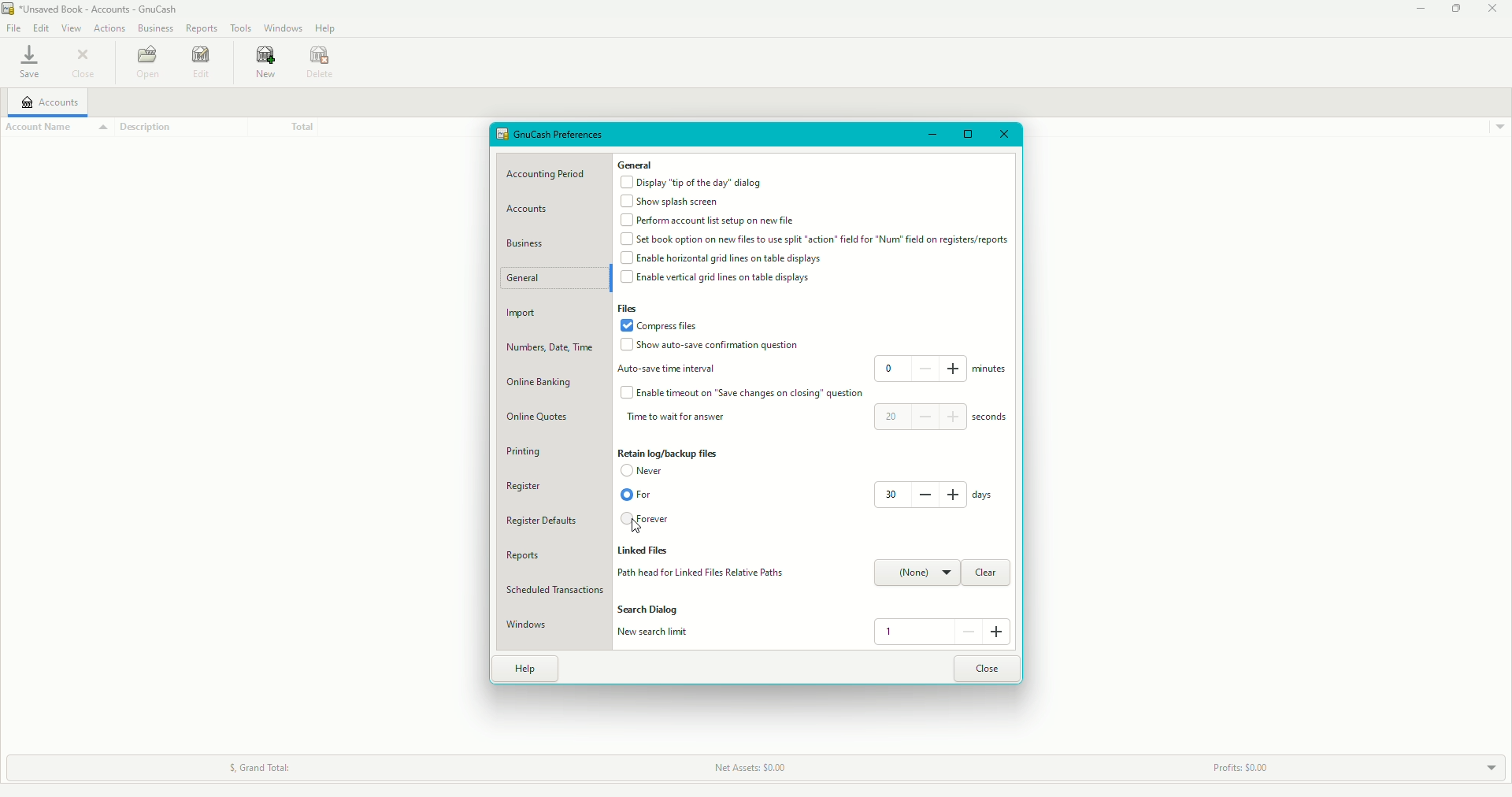  Describe the element at coordinates (636, 165) in the screenshot. I see `General` at that location.